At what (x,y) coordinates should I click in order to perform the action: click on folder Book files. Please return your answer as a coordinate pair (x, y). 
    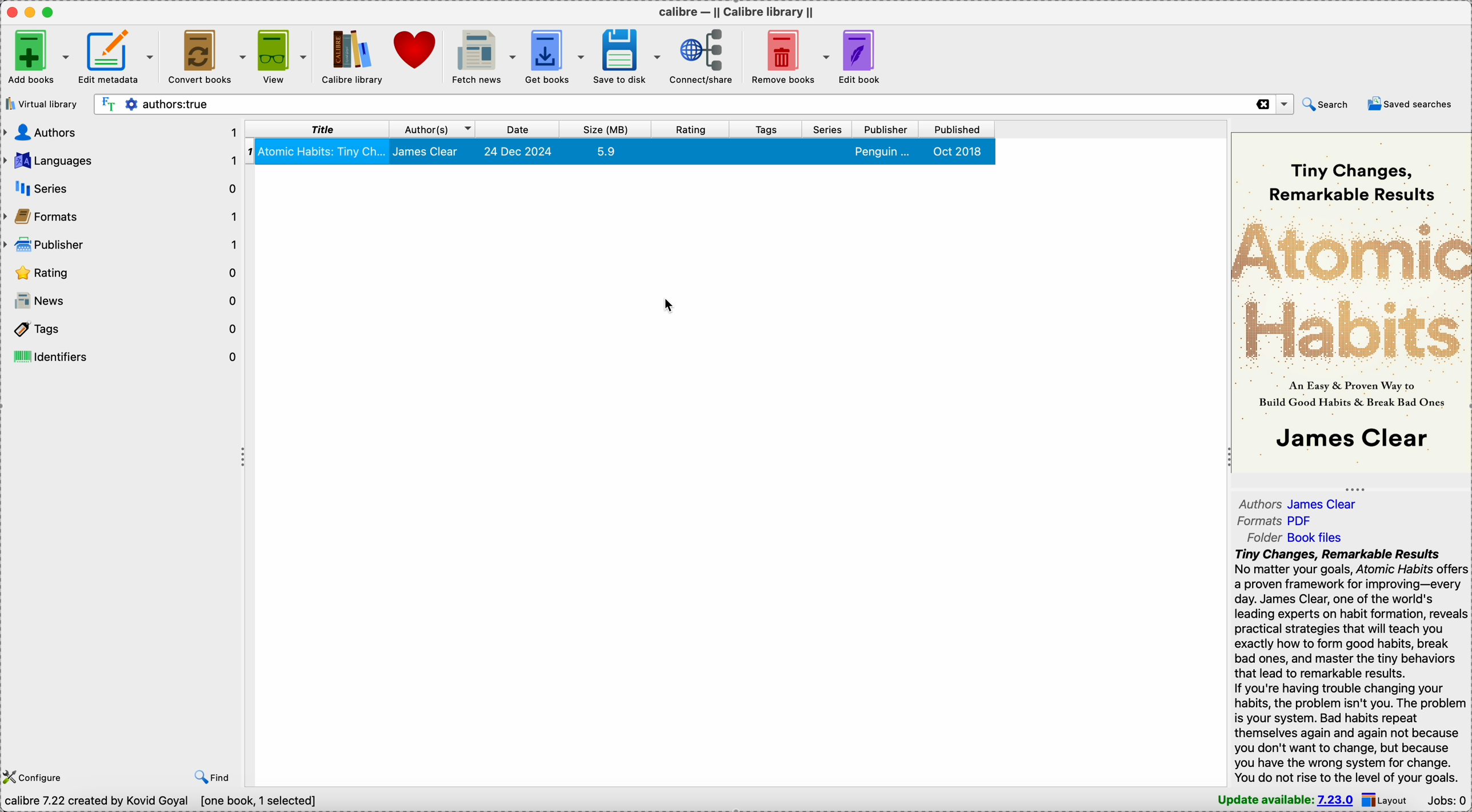
    Looking at the image, I should click on (1294, 538).